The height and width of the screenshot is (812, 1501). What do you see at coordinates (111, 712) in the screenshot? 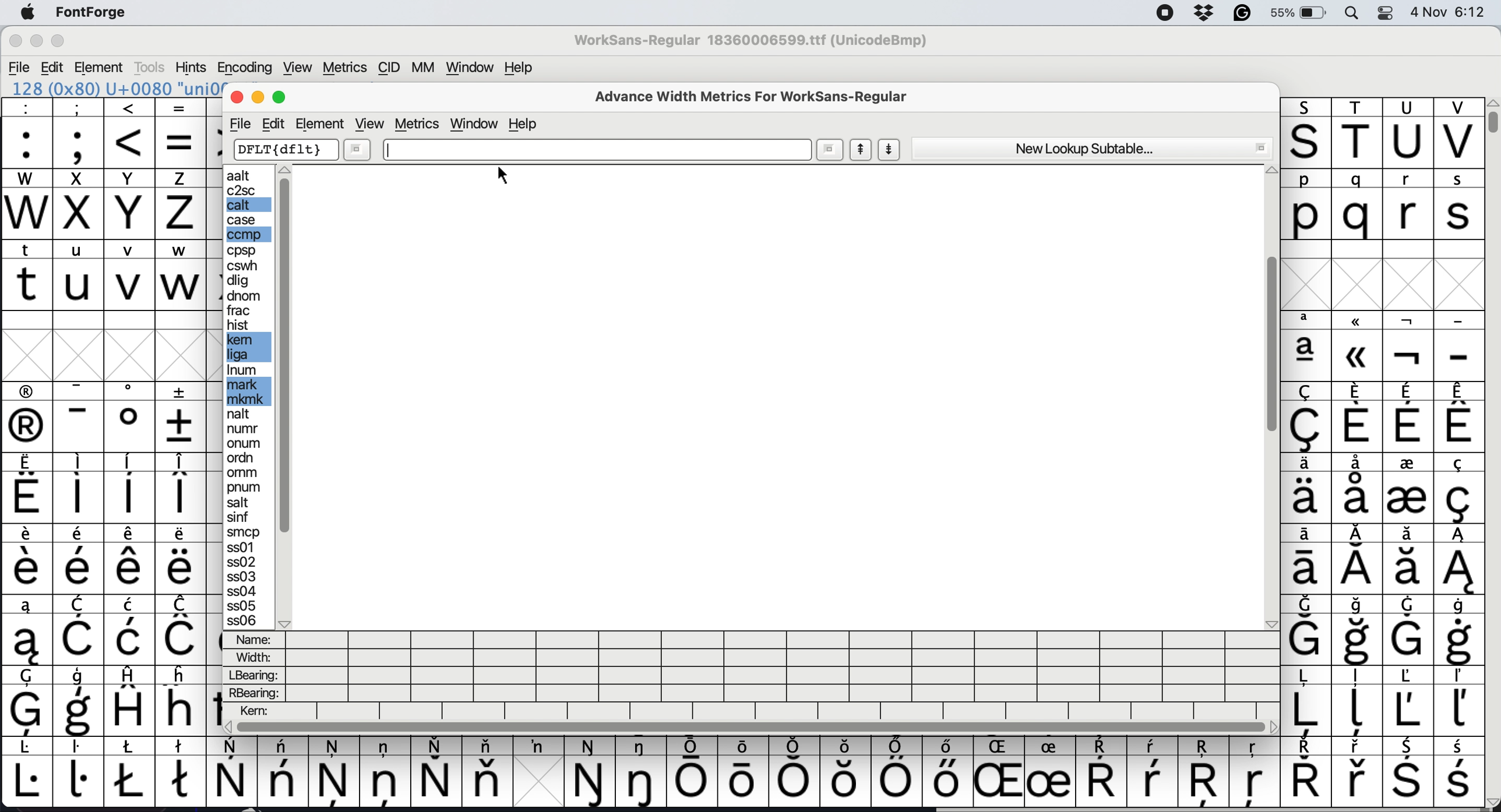
I see `special characters` at bounding box center [111, 712].